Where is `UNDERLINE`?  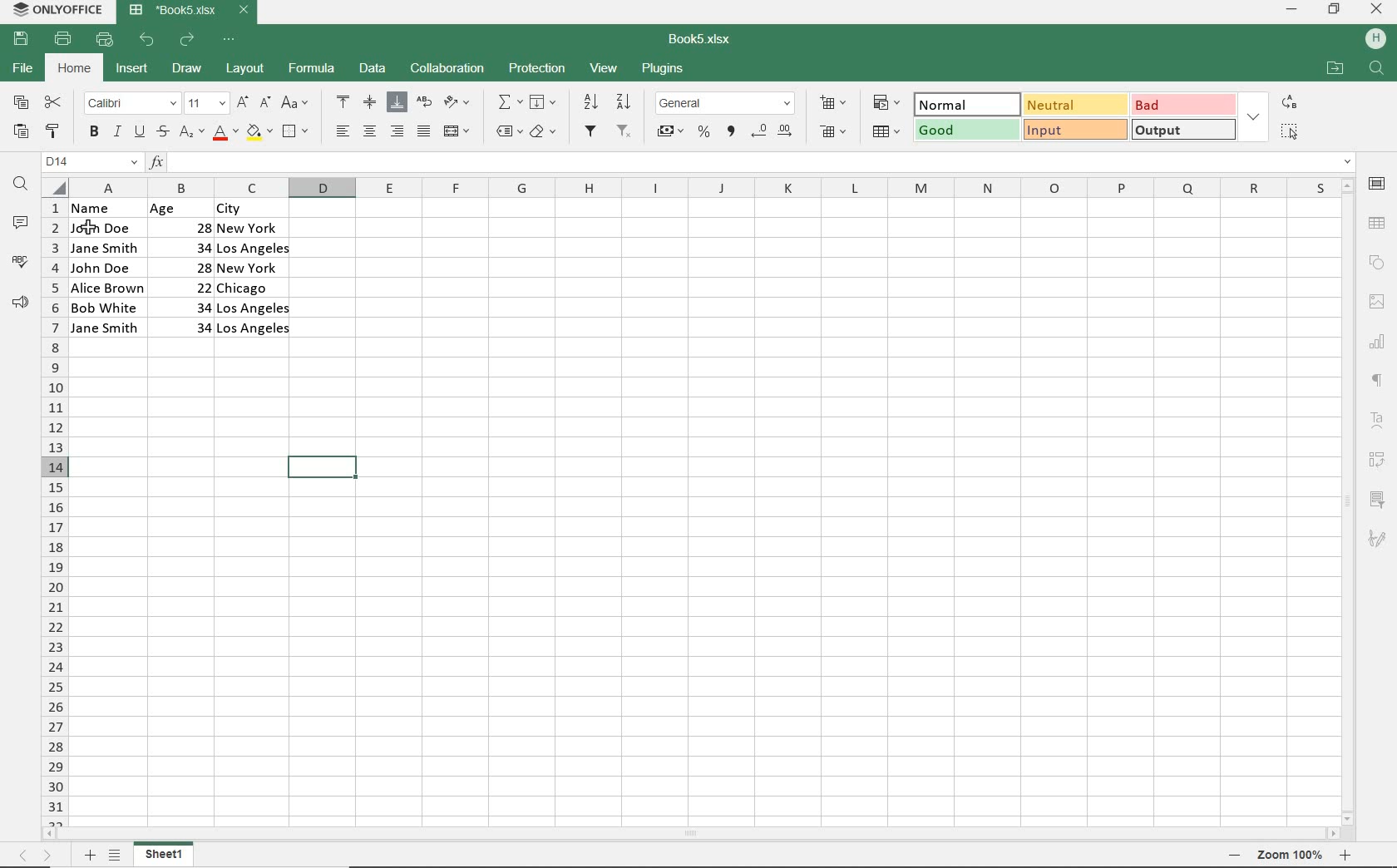
UNDERLINE is located at coordinates (138, 132).